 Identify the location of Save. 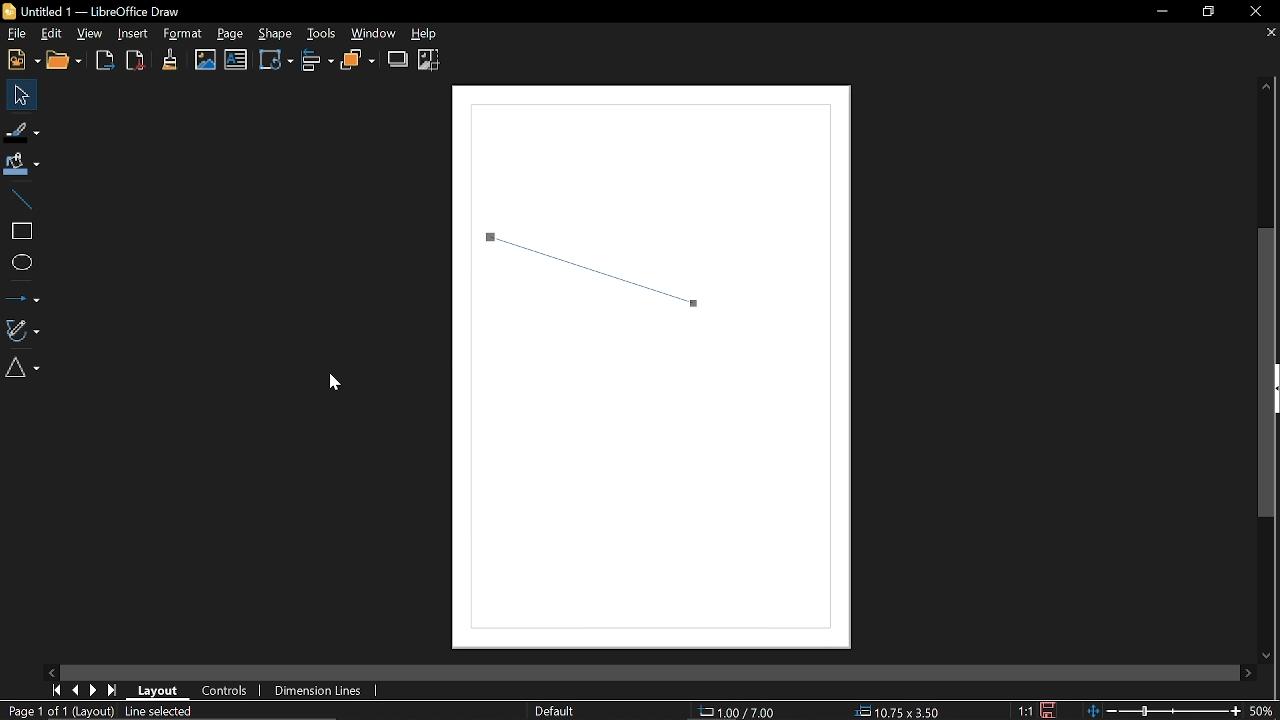
(1048, 711).